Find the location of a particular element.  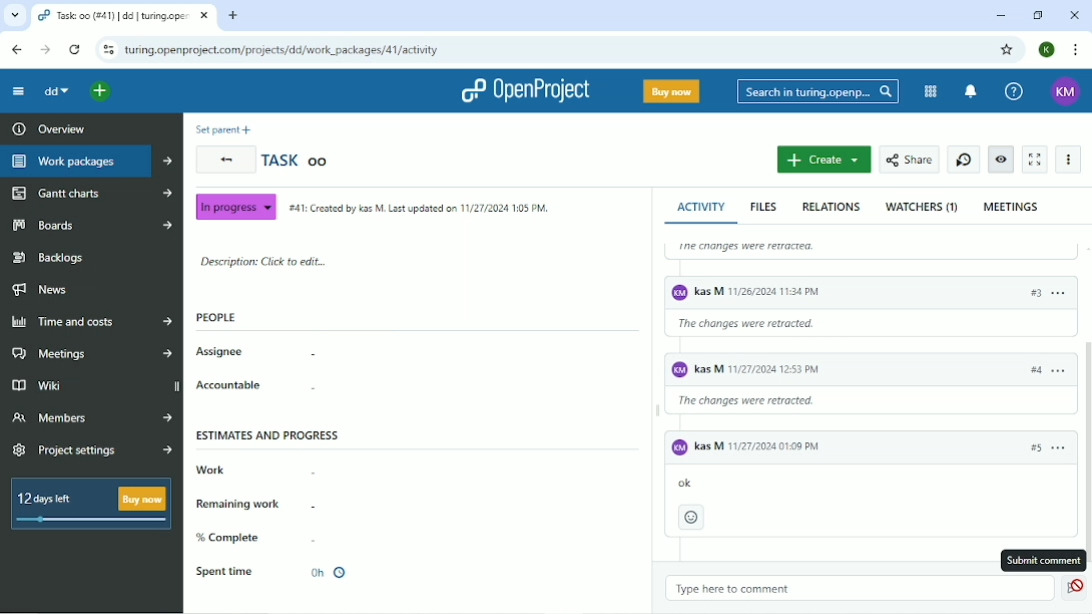

Remaining work is located at coordinates (257, 503).